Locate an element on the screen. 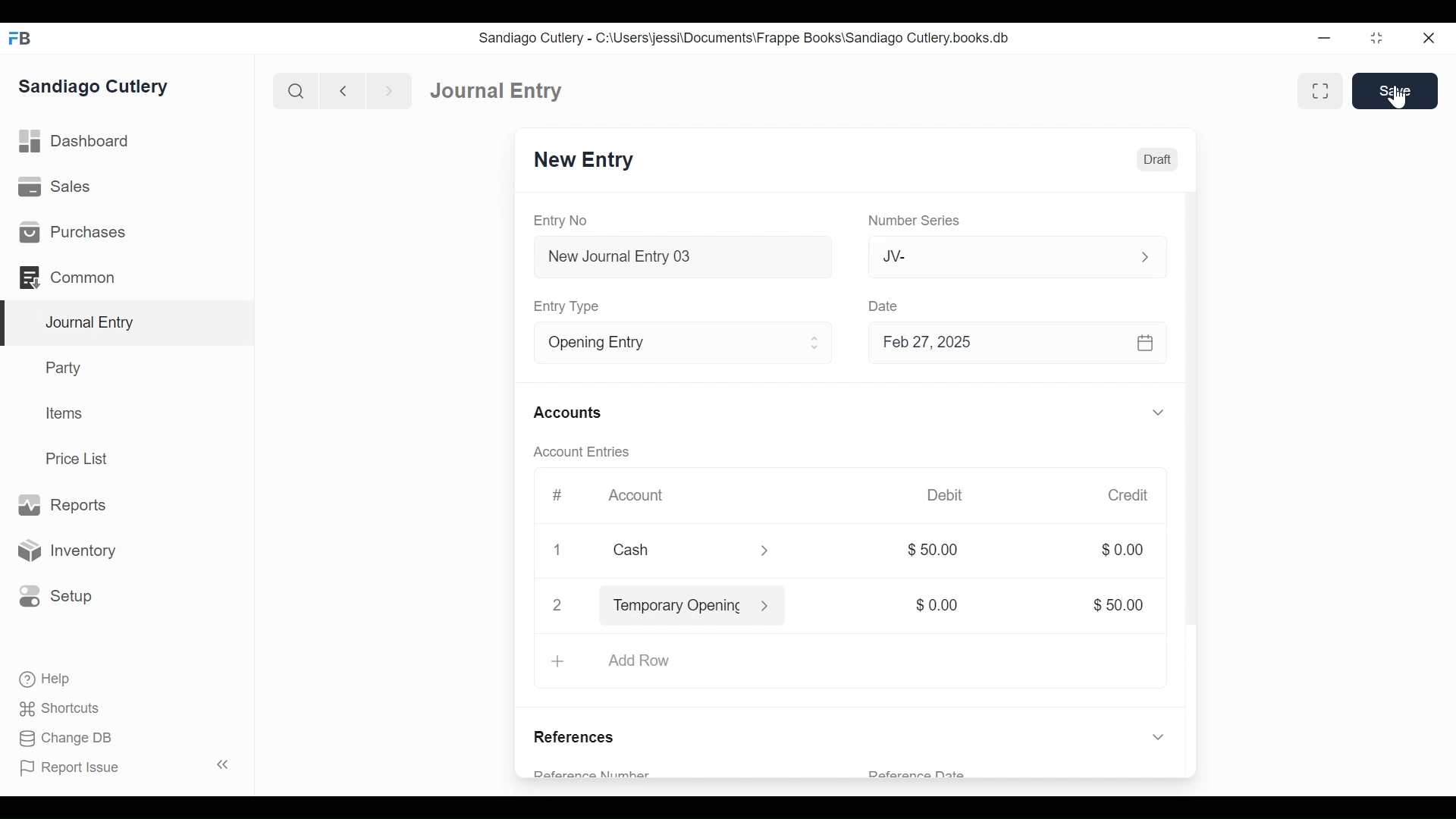 The width and height of the screenshot is (1456, 819). Close is located at coordinates (1427, 38).